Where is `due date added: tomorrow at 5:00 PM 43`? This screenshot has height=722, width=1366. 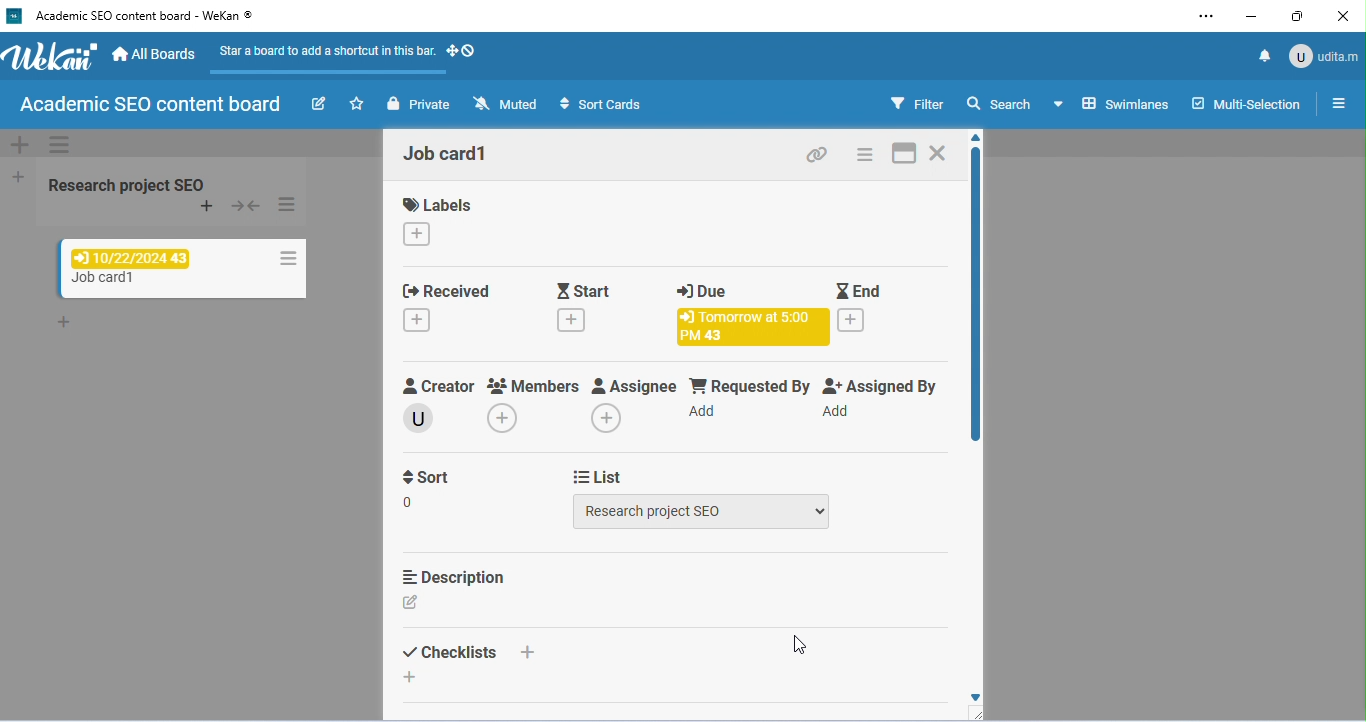
due date added: tomorrow at 5:00 PM 43 is located at coordinates (750, 327).